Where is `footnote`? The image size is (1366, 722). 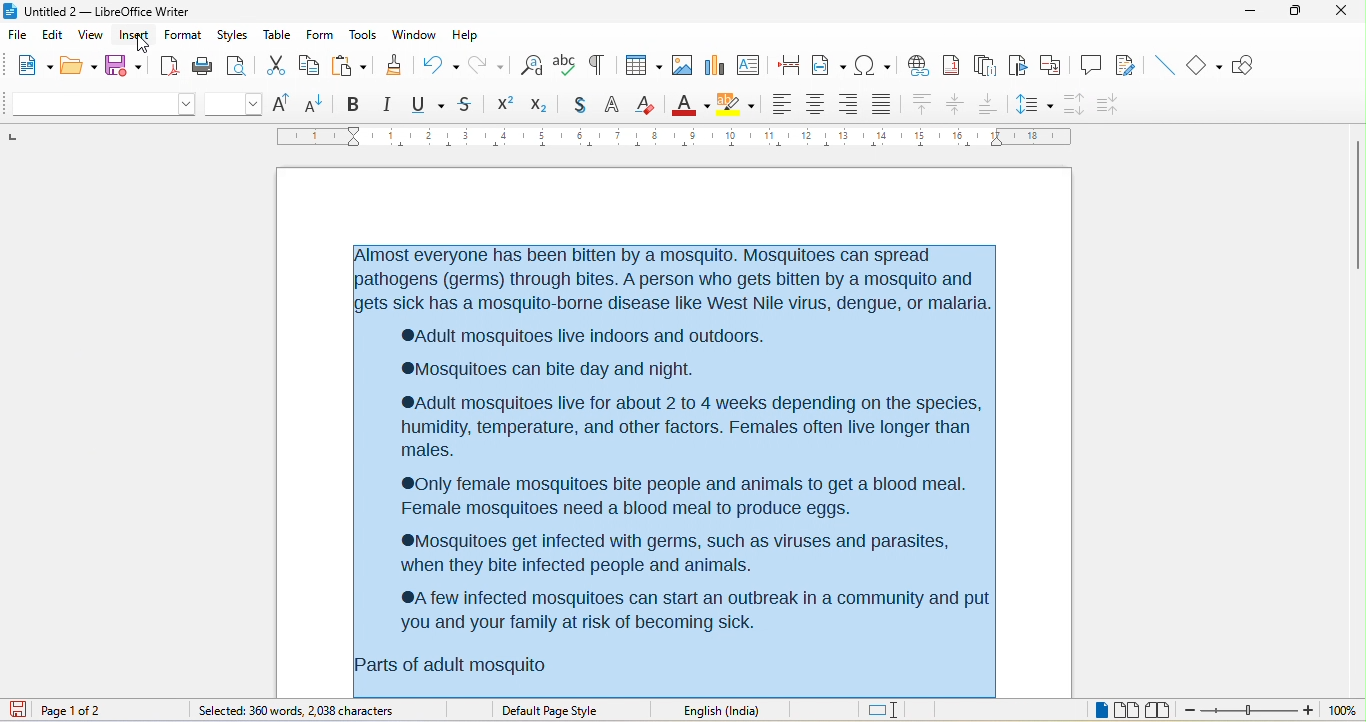
footnote is located at coordinates (954, 67).